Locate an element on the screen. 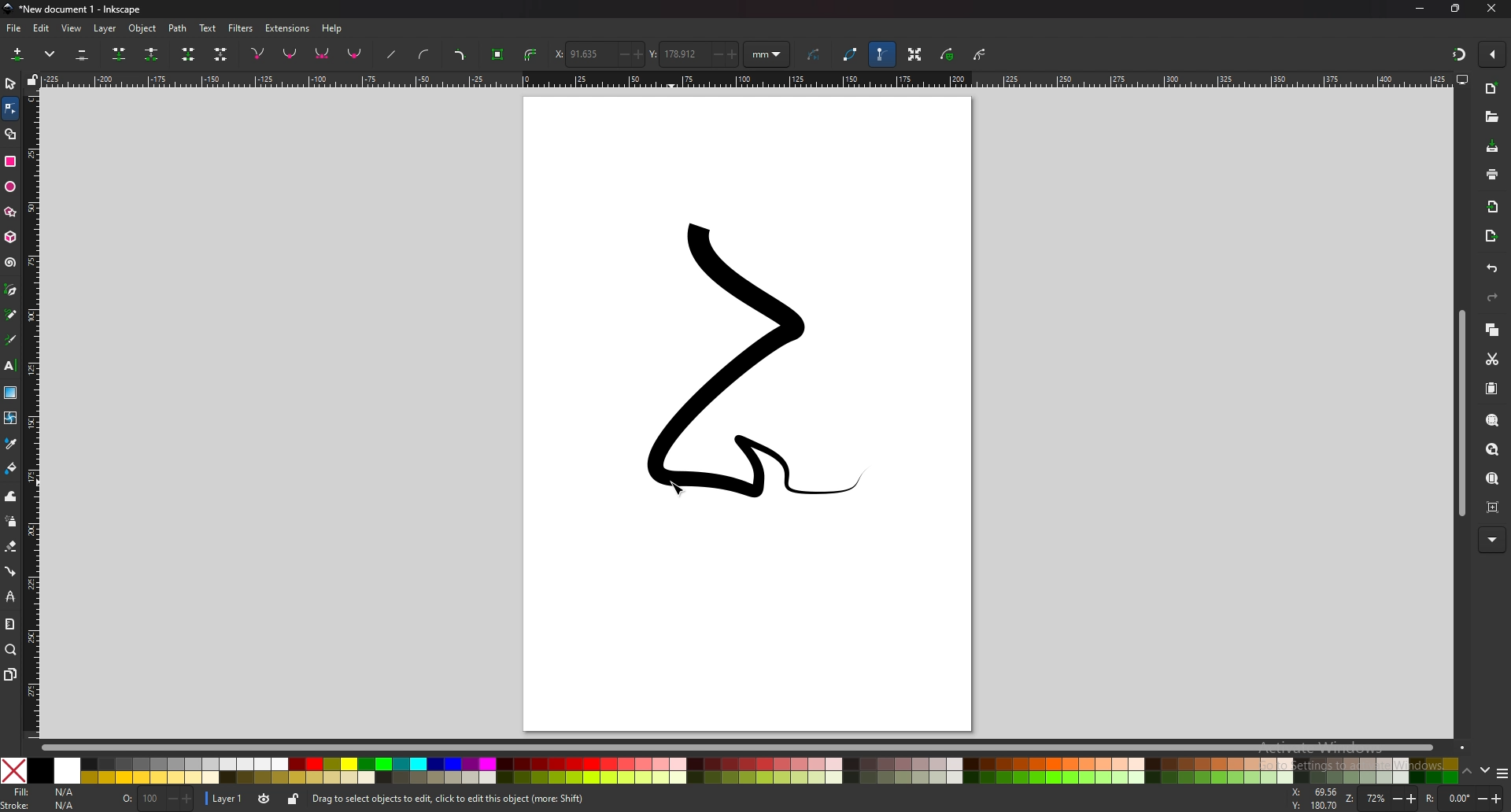 The image size is (1511, 812). gradient is located at coordinates (10, 393).